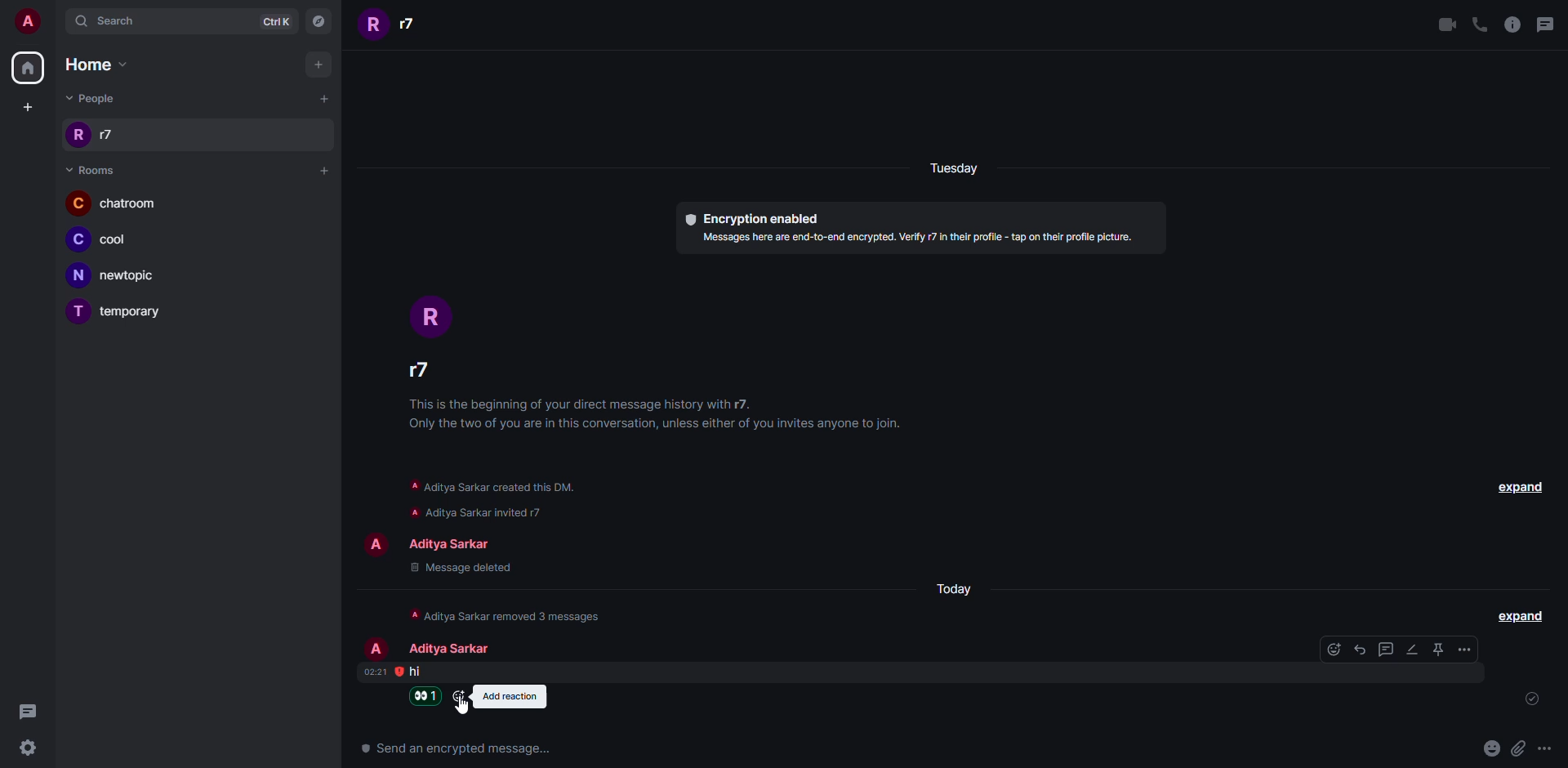  Describe the element at coordinates (421, 368) in the screenshot. I see `people` at that location.